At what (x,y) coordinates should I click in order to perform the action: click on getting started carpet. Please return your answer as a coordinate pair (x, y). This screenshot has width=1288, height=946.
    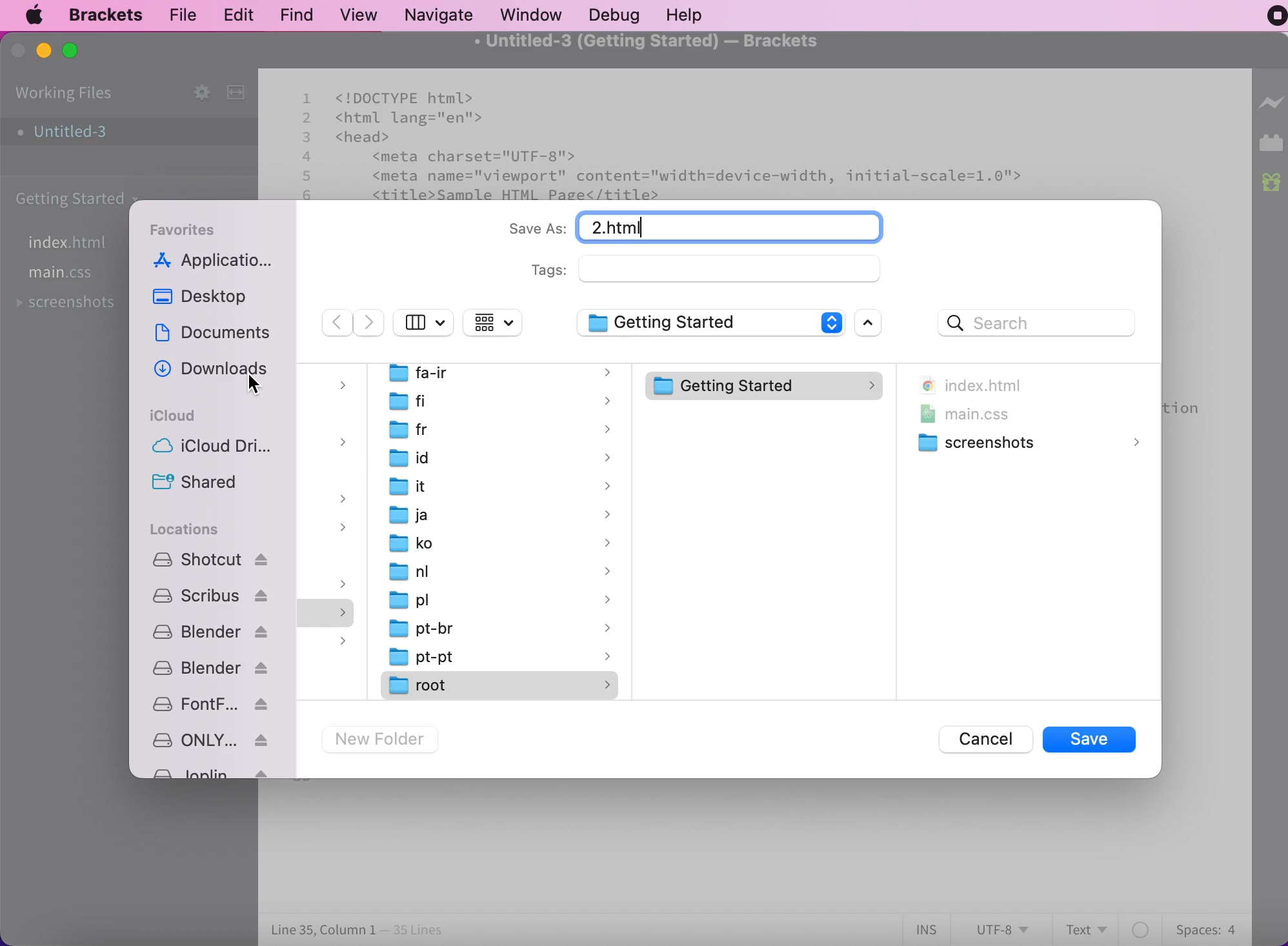
    Looking at the image, I should click on (72, 201).